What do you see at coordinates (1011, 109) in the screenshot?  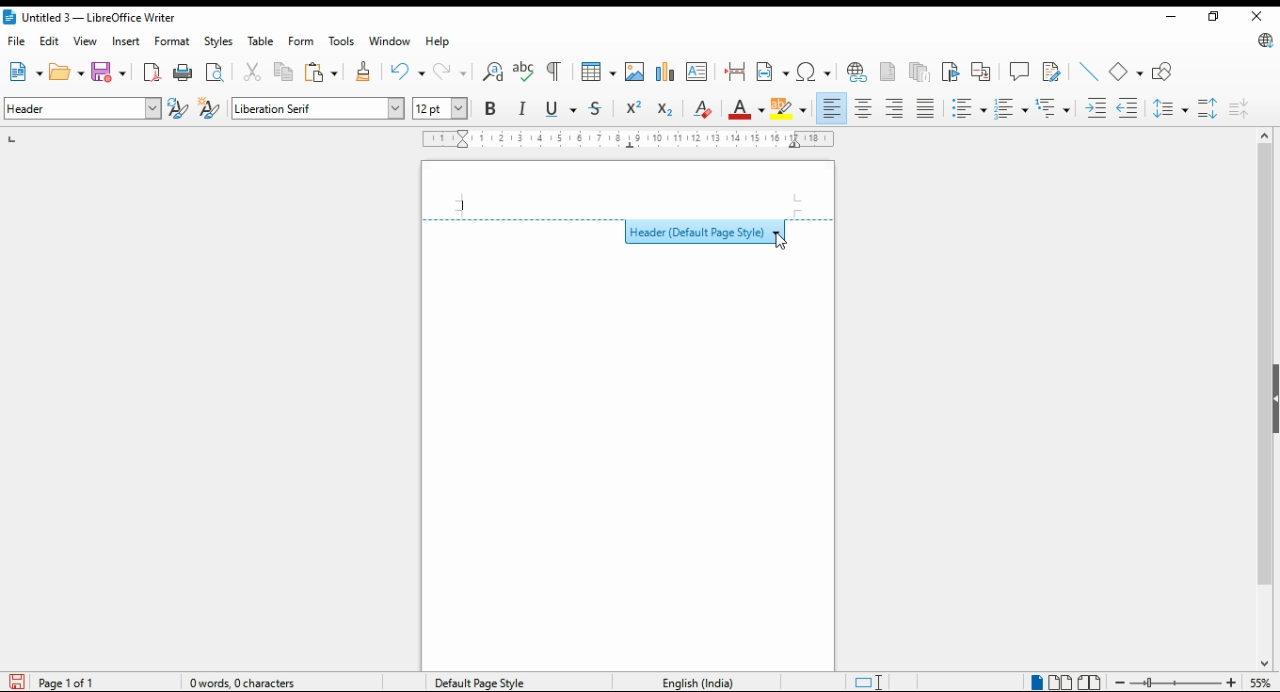 I see `toggle ordered list` at bounding box center [1011, 109].